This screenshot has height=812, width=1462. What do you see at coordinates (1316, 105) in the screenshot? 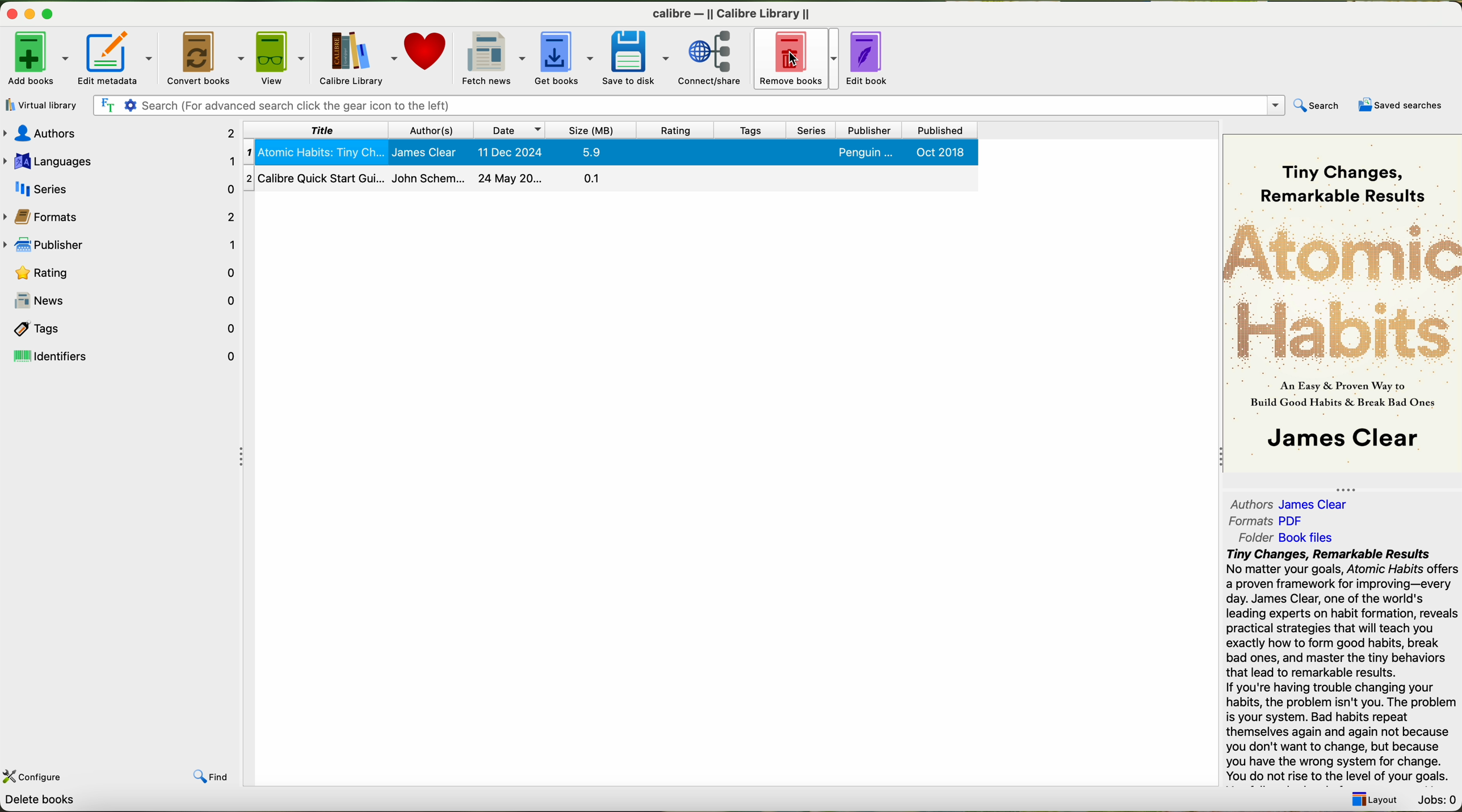
I see `search` at bounding box center [1316, 105].